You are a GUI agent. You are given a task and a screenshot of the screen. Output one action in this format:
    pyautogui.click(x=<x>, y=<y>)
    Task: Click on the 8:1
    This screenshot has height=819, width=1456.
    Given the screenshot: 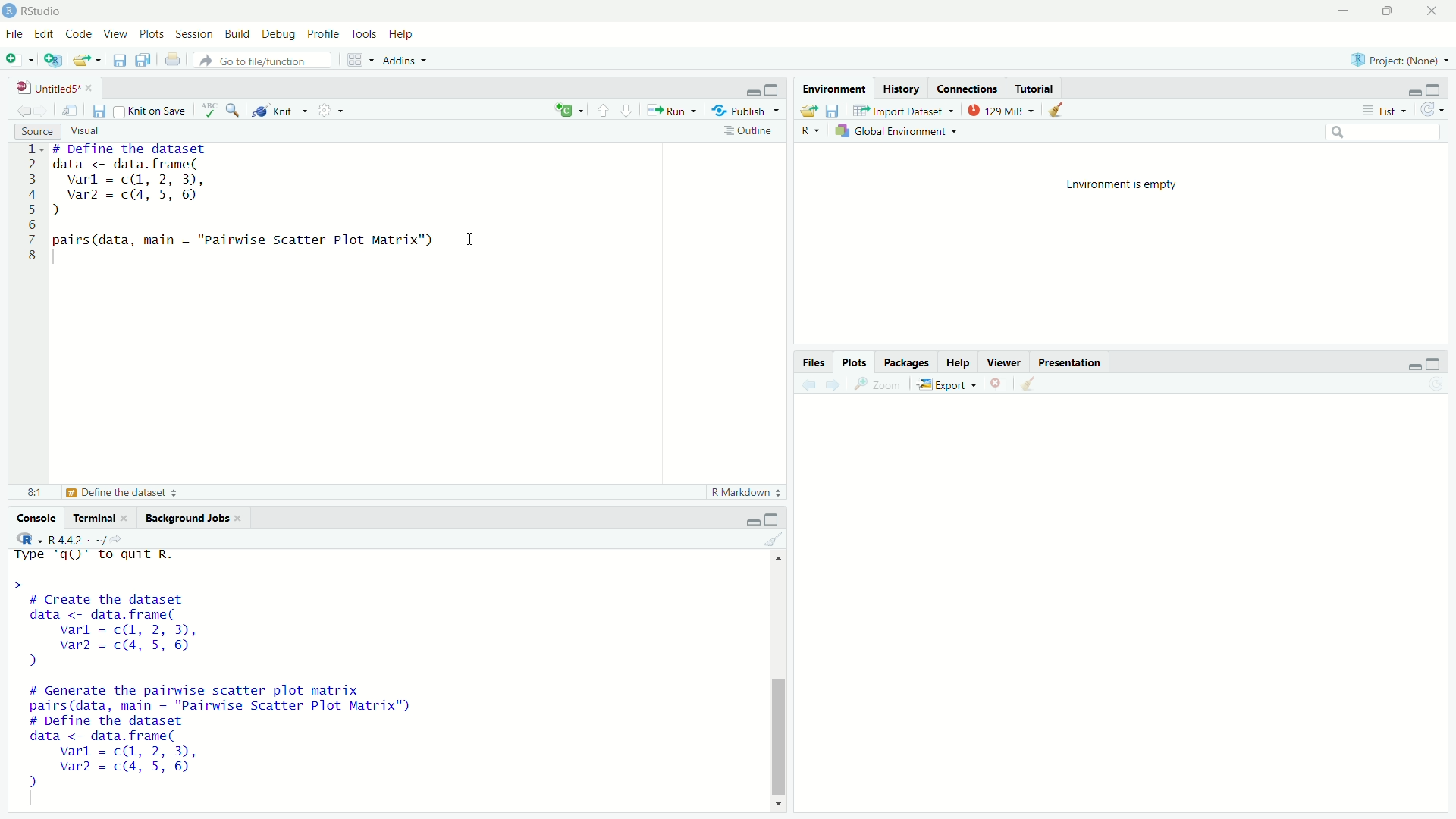 What is the action you would take?
    pyautogui.click(x=36, y=491)
    